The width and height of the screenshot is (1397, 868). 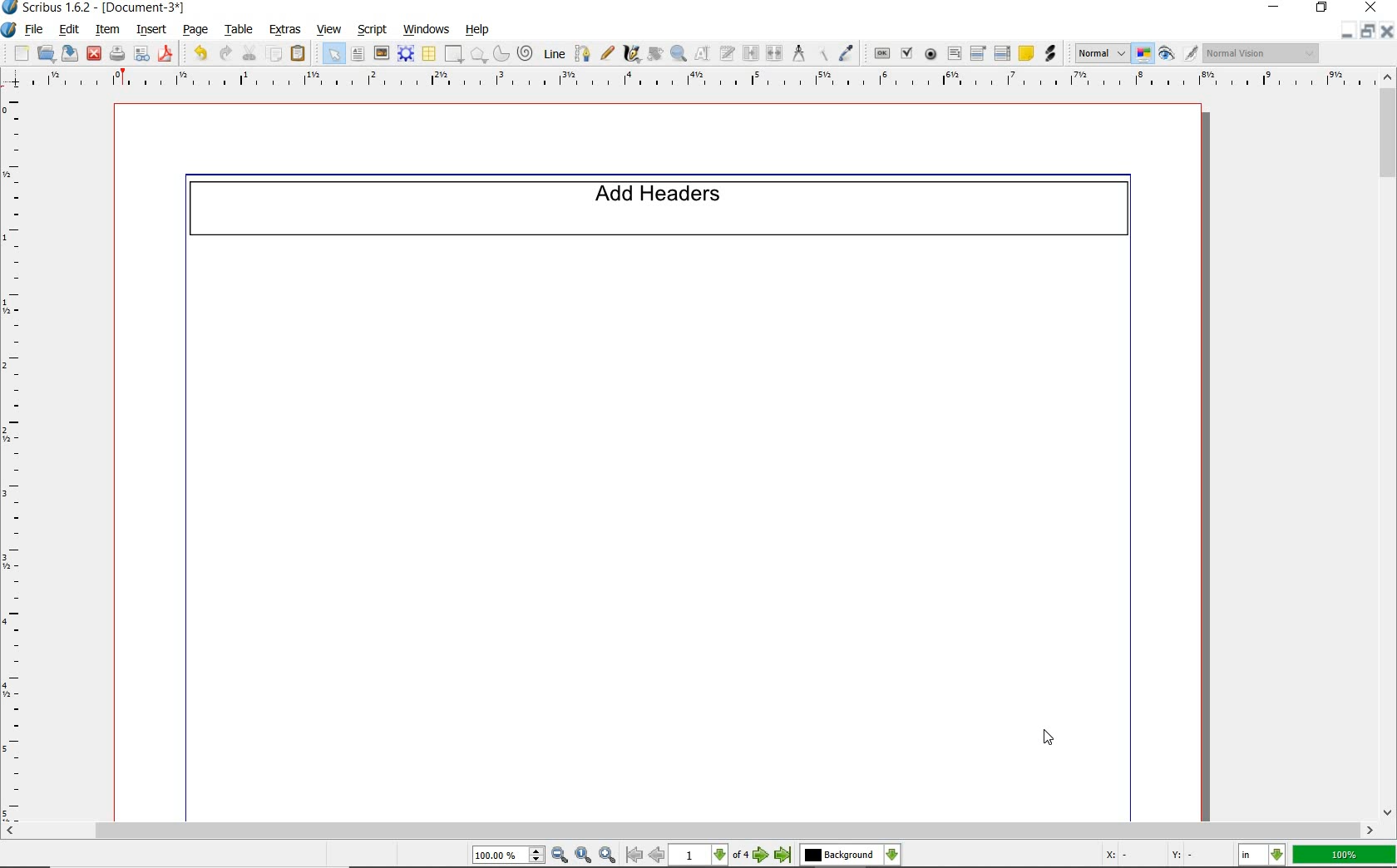 What do you see at coordinates (881, 52) in the screenshot?
I see `pdf push button` at bounding box center [881, 52].